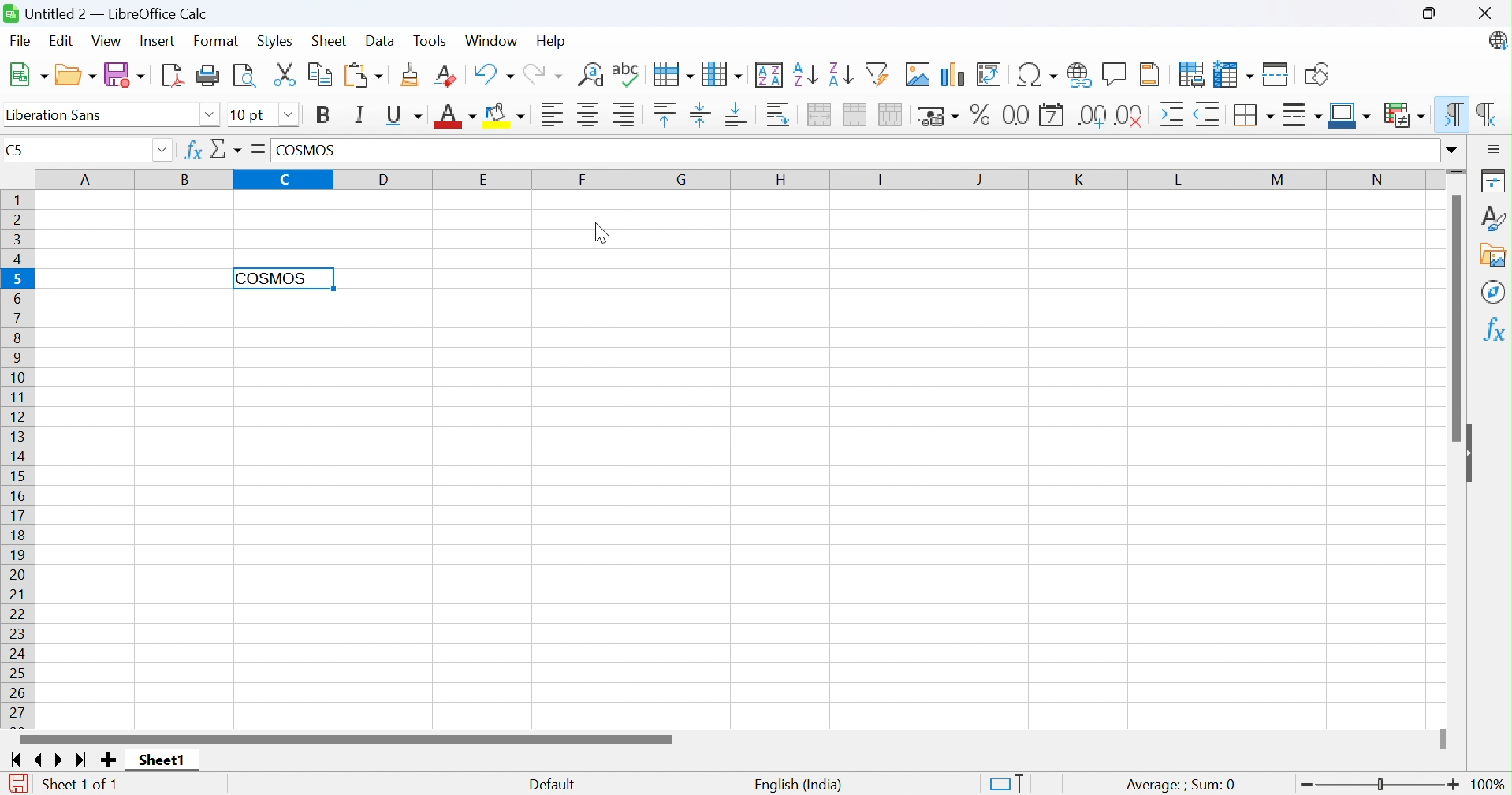  I want to click on Miniimize, so click(1376, 14).